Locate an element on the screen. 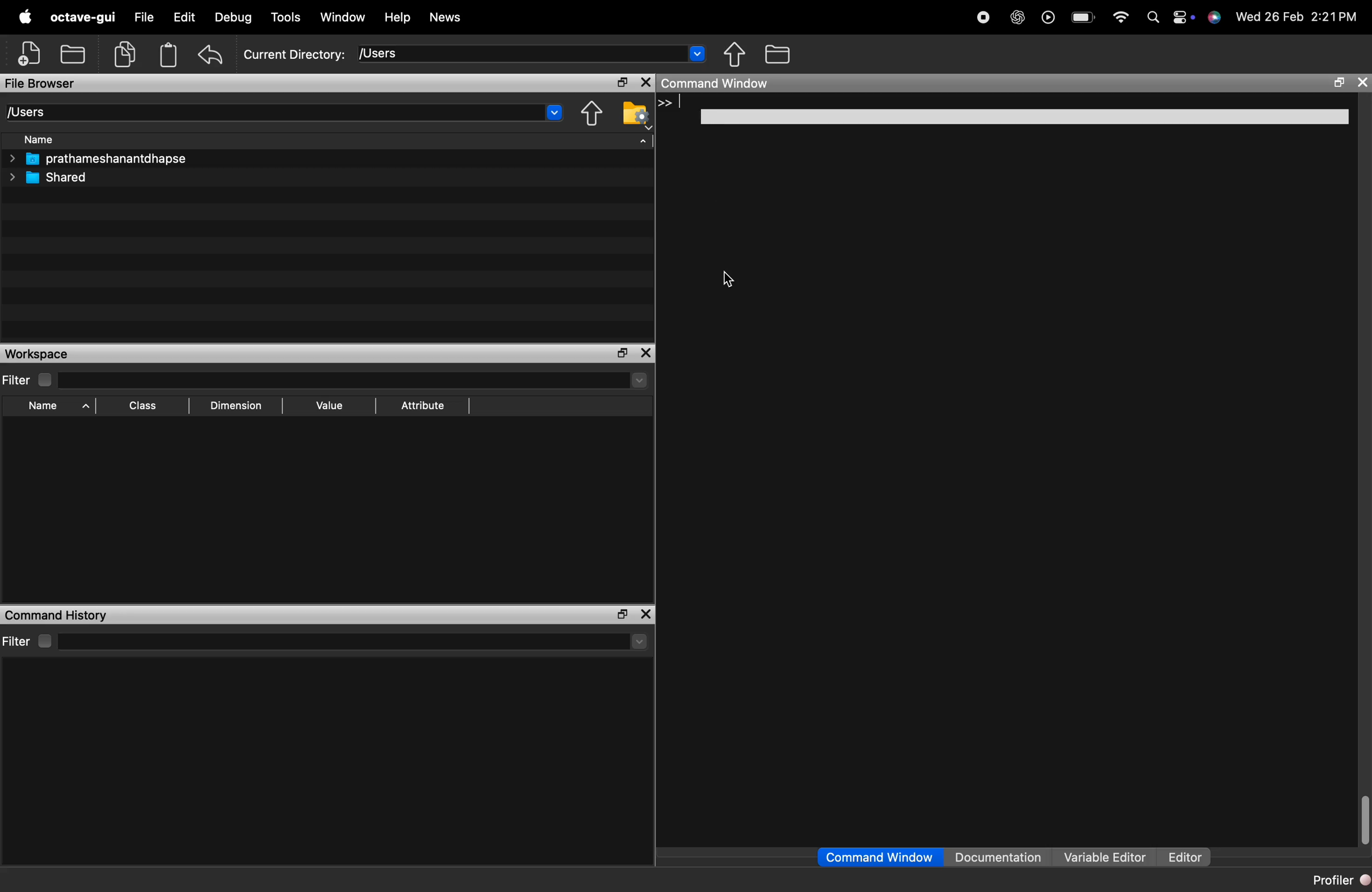  Name is located at coordinates (37, 139).